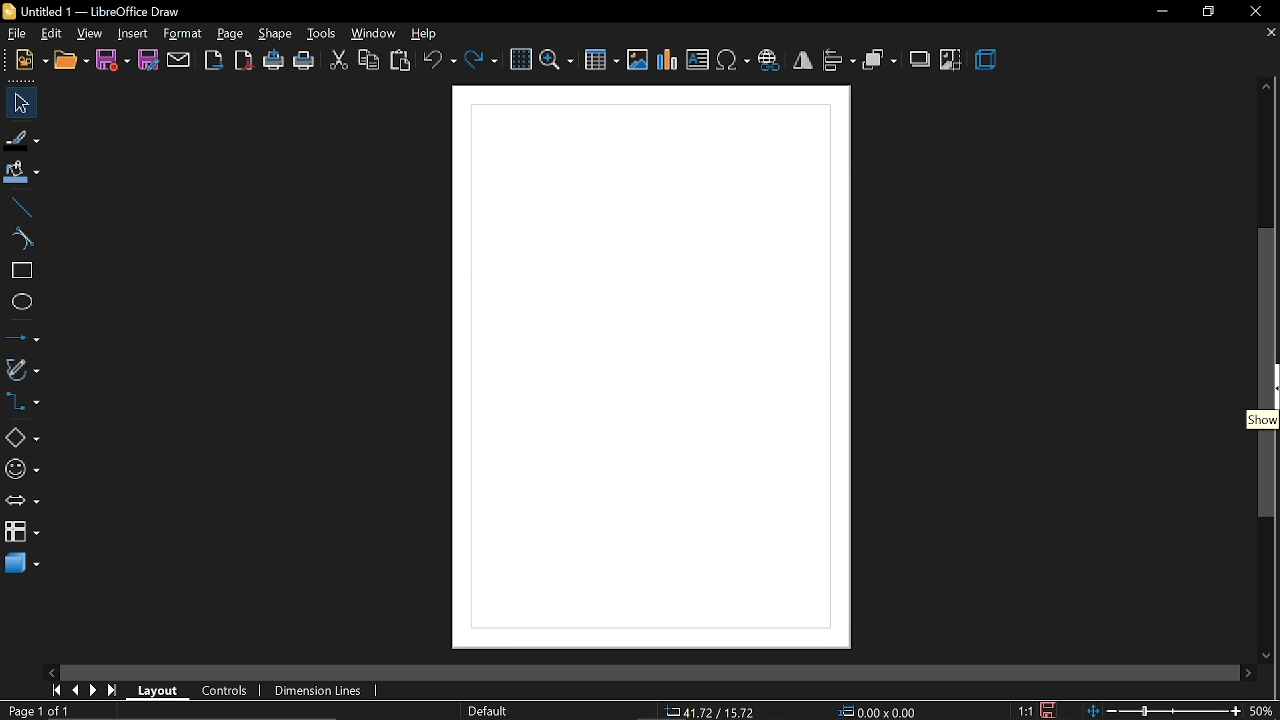 The width and height of the screenshot is (1280, 720). I want to click on page, so click(232, 35).